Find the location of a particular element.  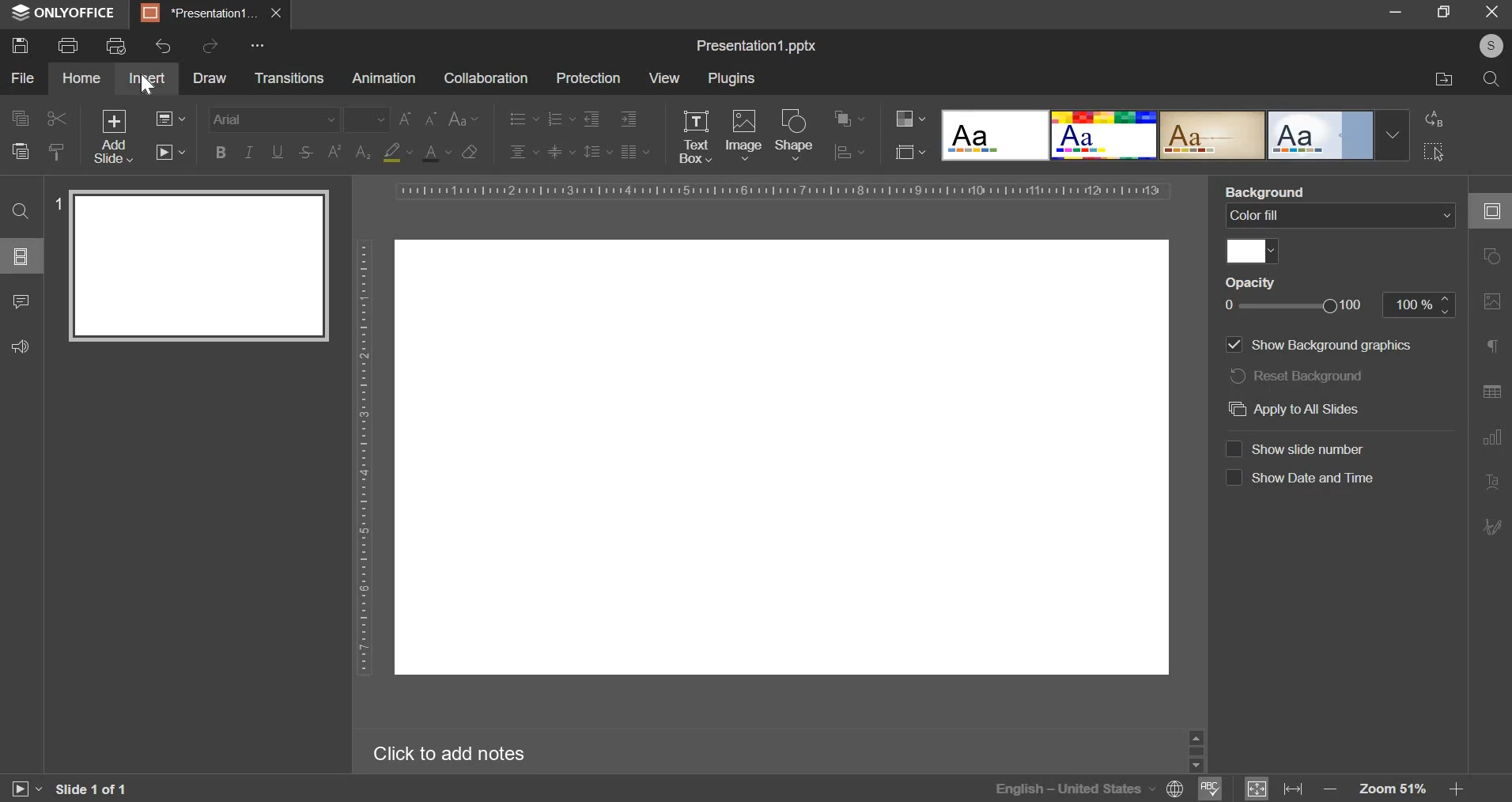

background is located at coordinates (1271, 191).